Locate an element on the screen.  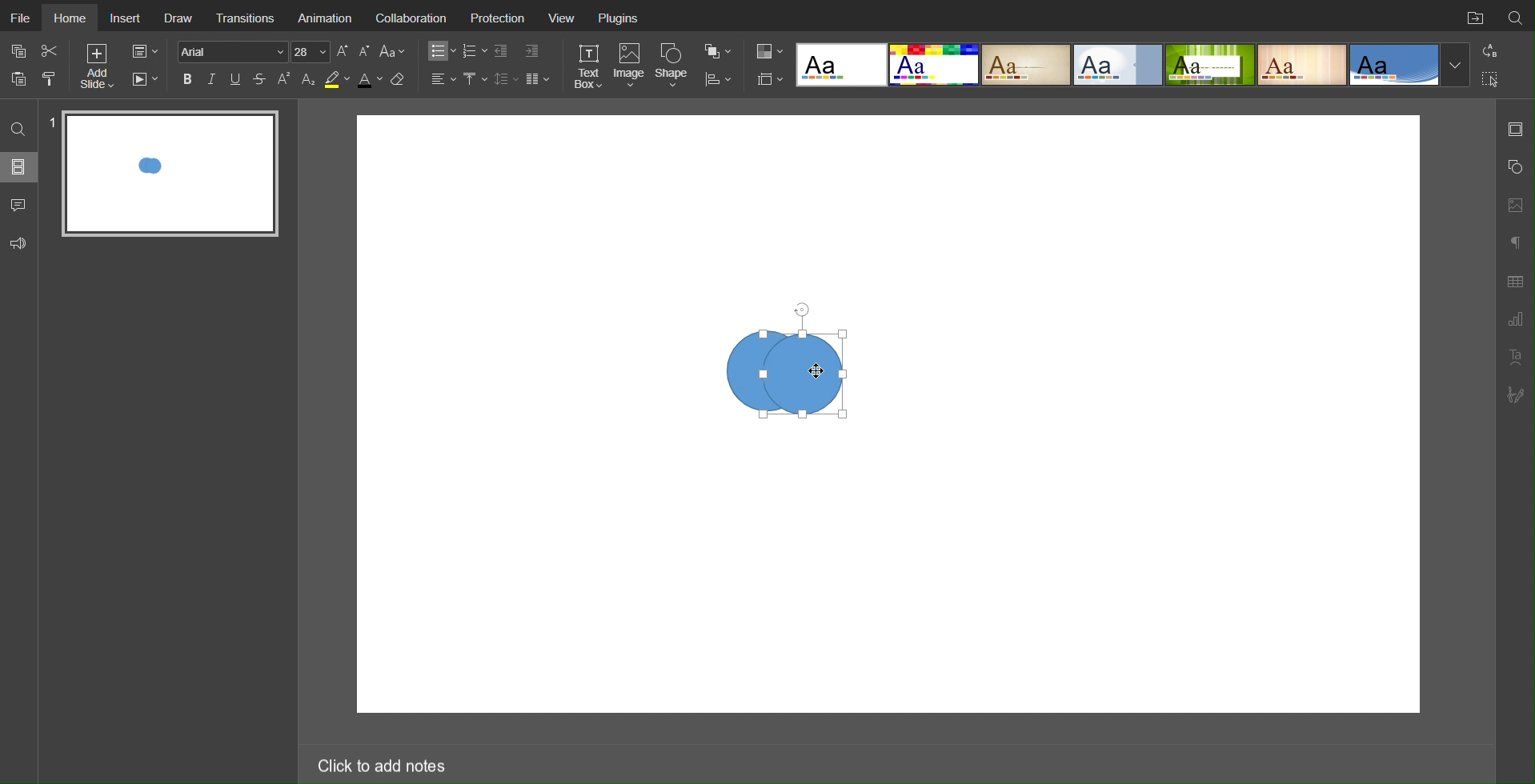
Slide Settings is located at coordinates (767, 79).